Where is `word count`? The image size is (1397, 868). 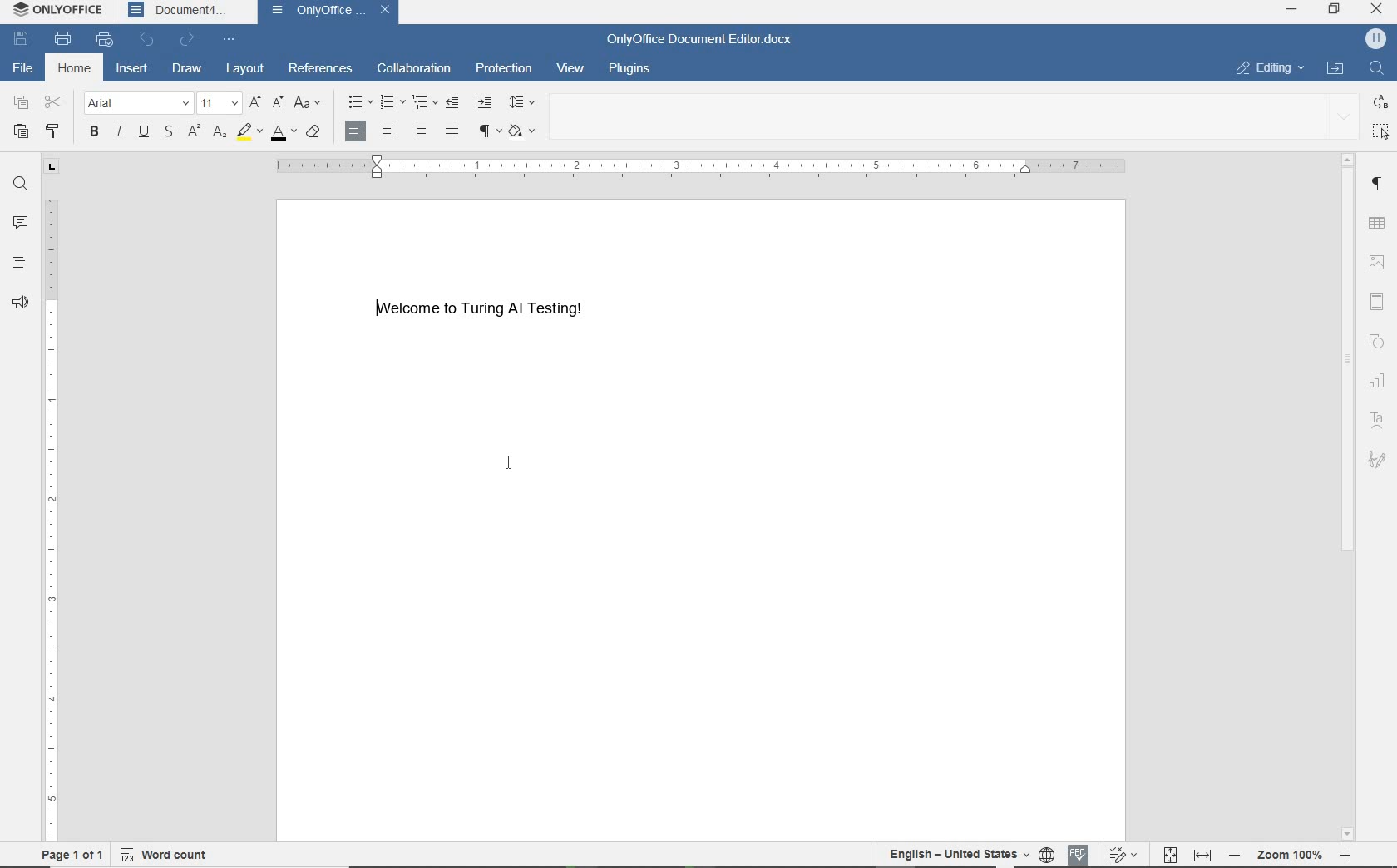 word count is located at coordinates (165, 856).